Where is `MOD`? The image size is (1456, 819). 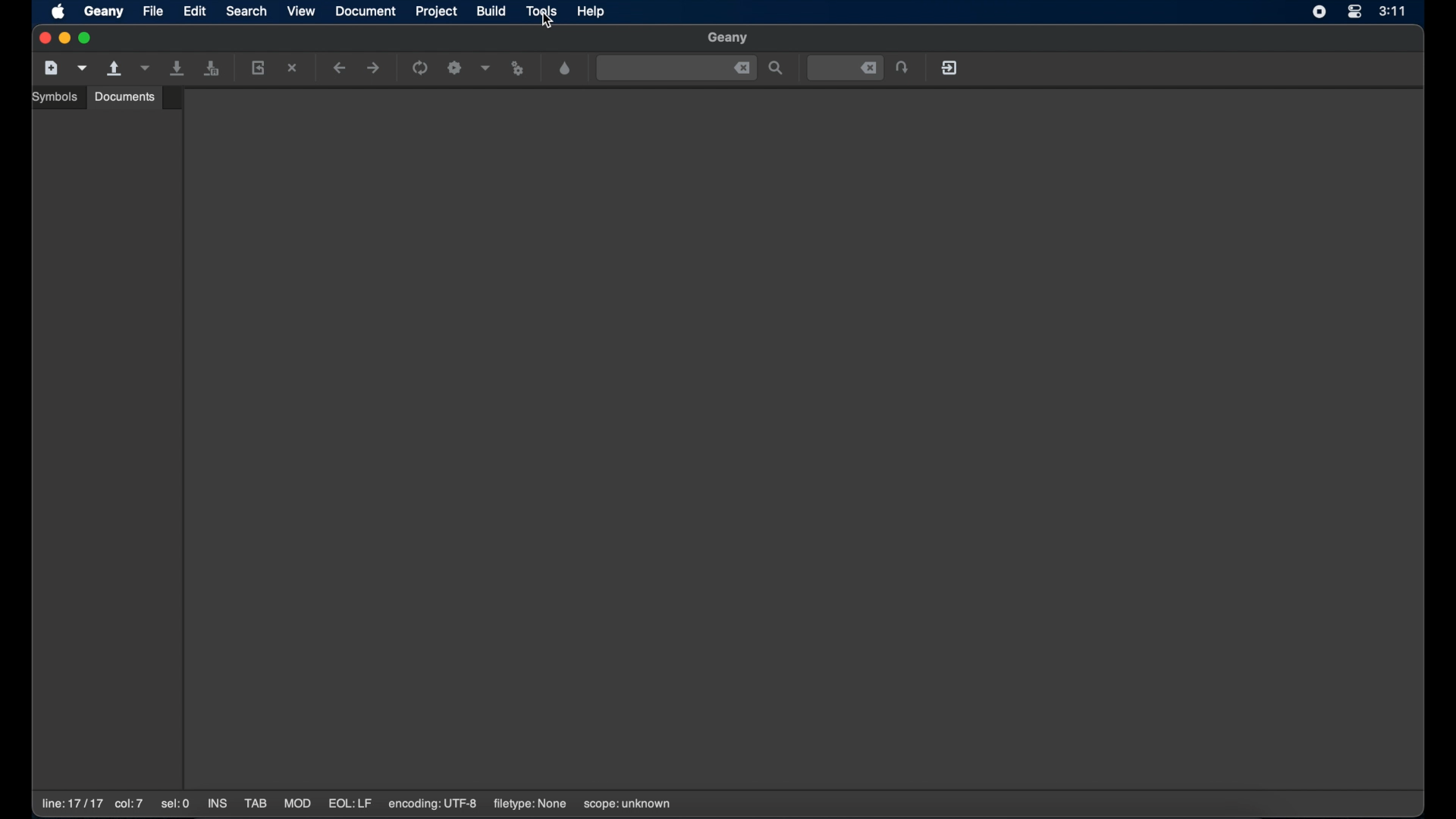
MOD is located at coordinates (297, 804).